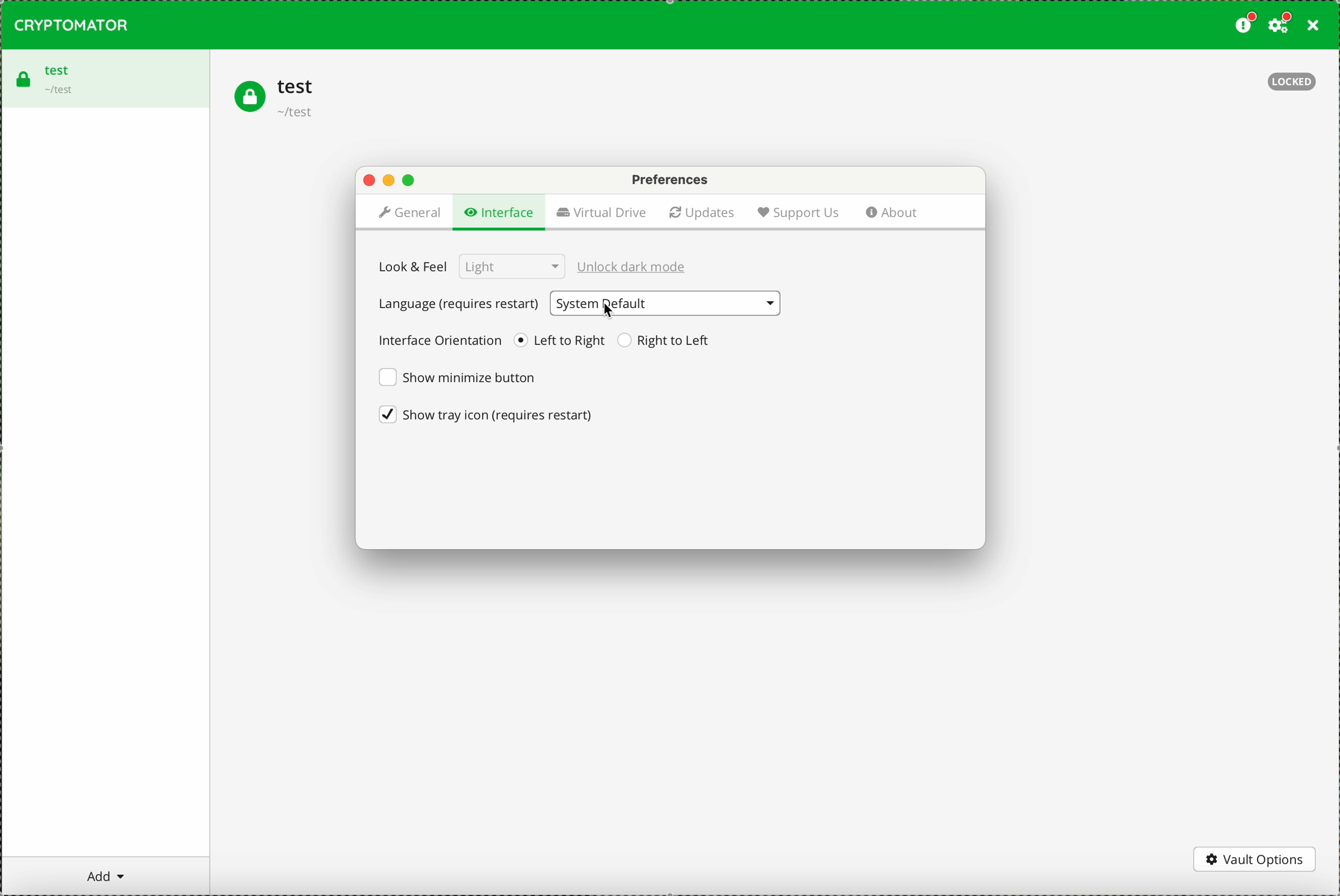 This screenshot has width=1340, height=896. I want to click on minimize, so click(389, 181).